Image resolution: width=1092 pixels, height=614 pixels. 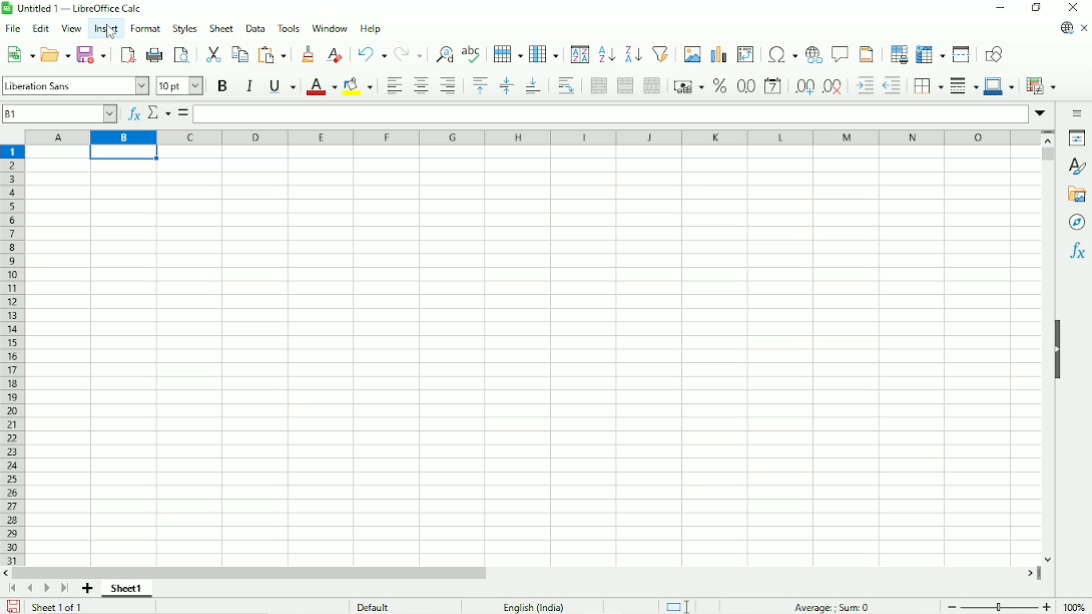 What do you see at coordinates (1076, 137) in the screenshot?
I see `Properties` at bounding box center [1076, 137].